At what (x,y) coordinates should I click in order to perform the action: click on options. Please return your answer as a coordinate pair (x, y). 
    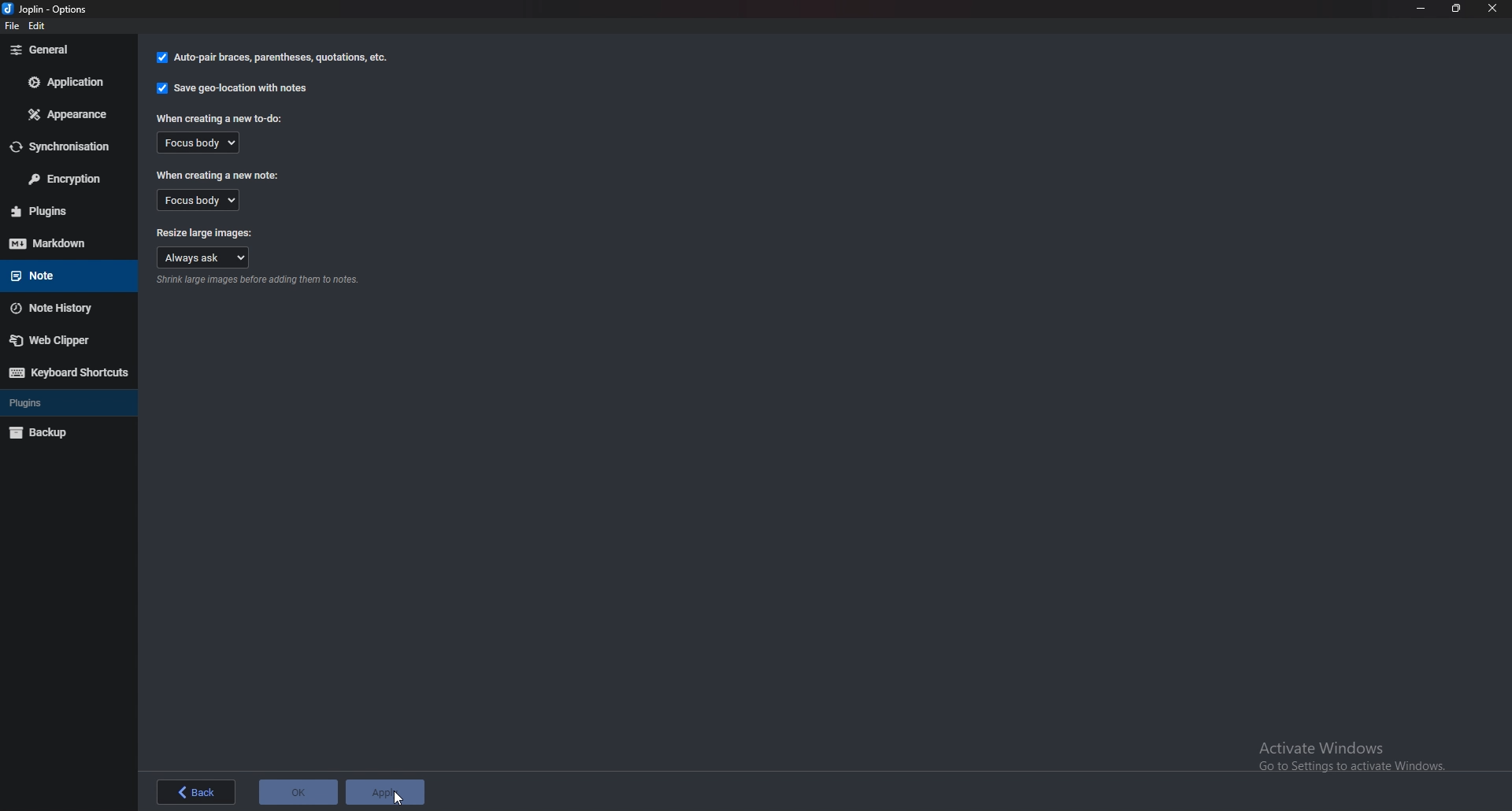
    Looking at the image, I should click on (52, 9).